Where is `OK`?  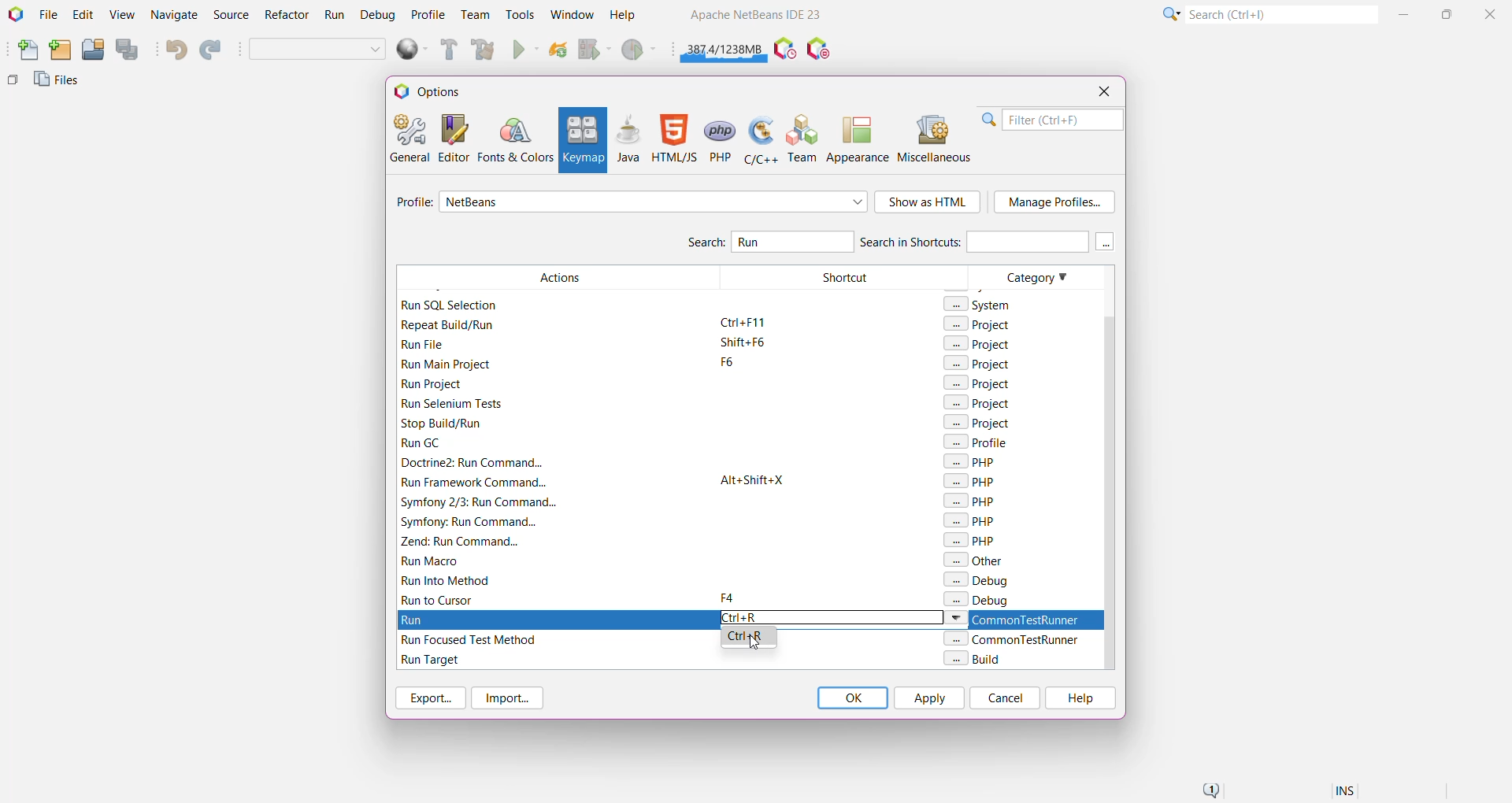 OK is located at coordinates (852, 698).